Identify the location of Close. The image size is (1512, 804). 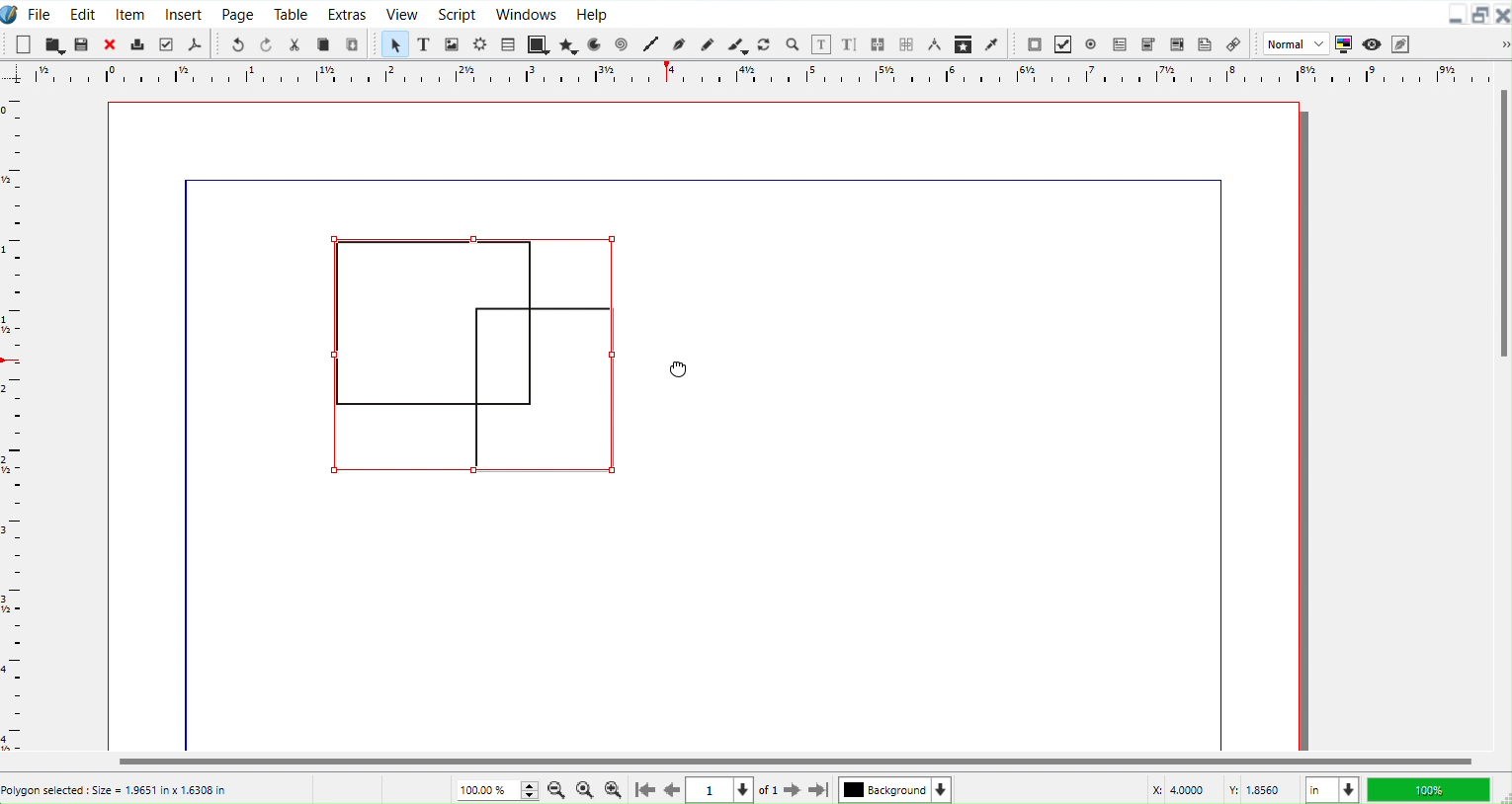
(1502, 15).